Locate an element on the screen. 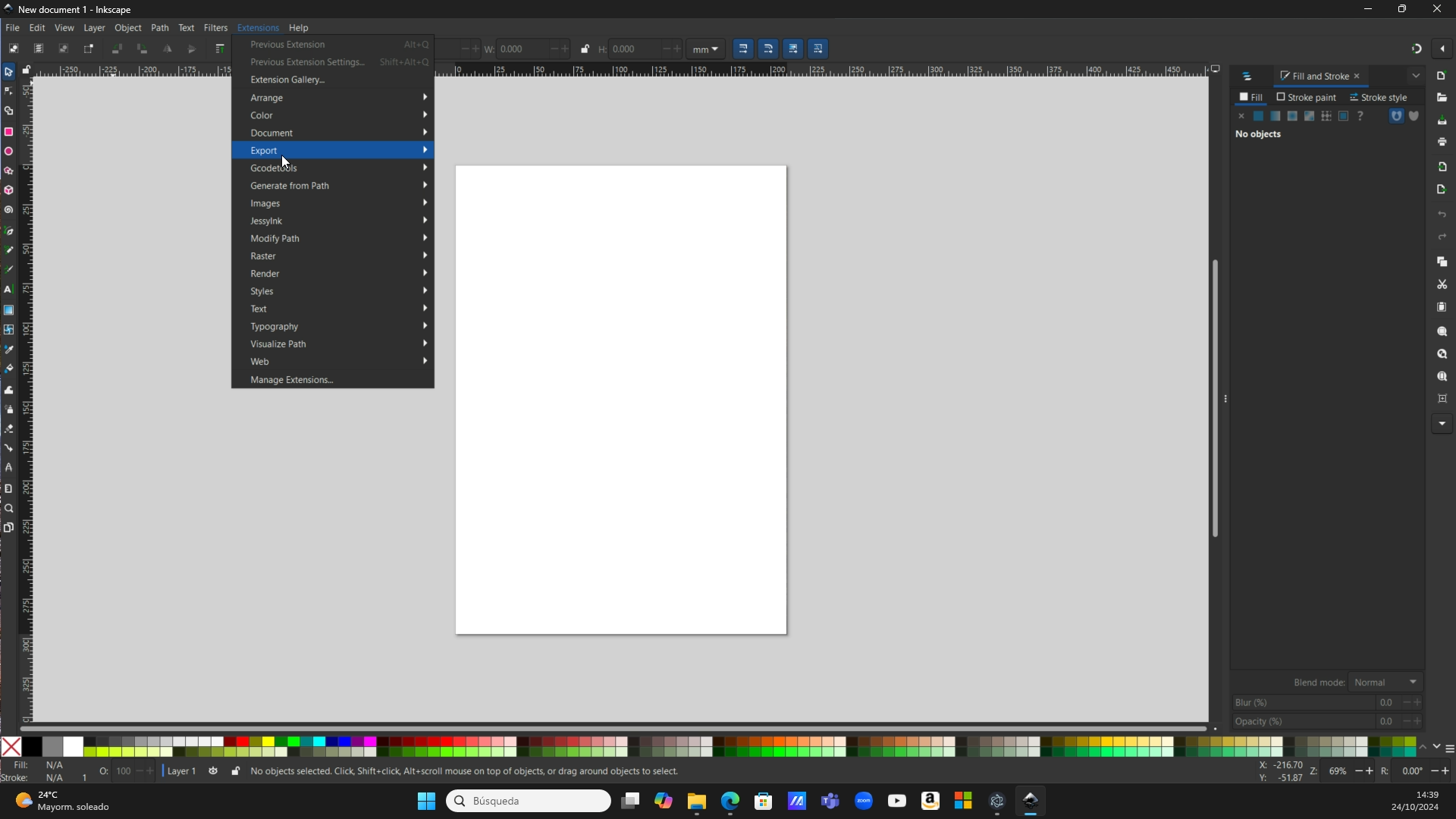 The width and height of the screenshot is (1456, 819). Customization Bar is located at coordinates (12, 300).